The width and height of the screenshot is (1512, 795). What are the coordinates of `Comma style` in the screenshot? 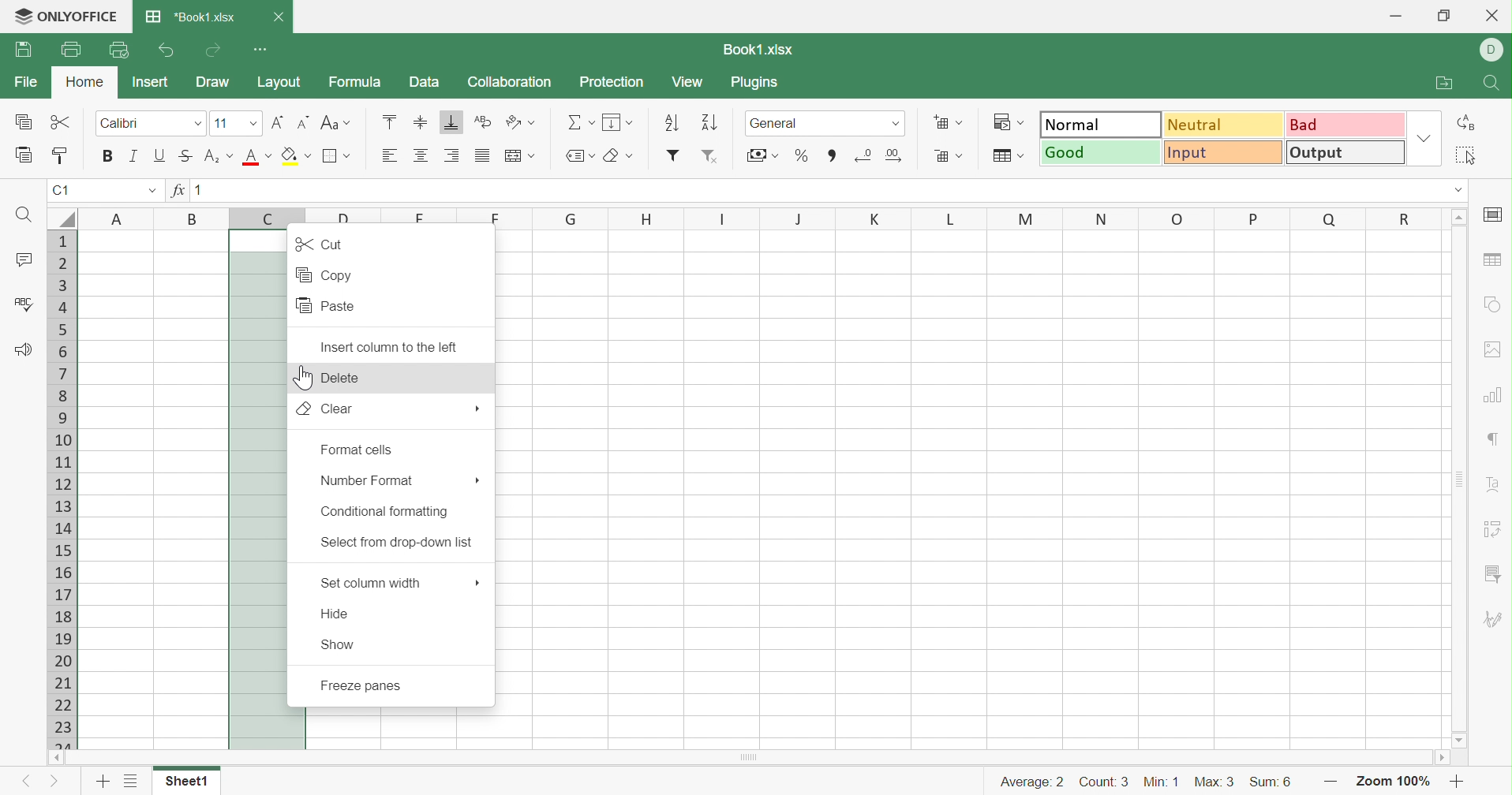 It's located at (835, 155).